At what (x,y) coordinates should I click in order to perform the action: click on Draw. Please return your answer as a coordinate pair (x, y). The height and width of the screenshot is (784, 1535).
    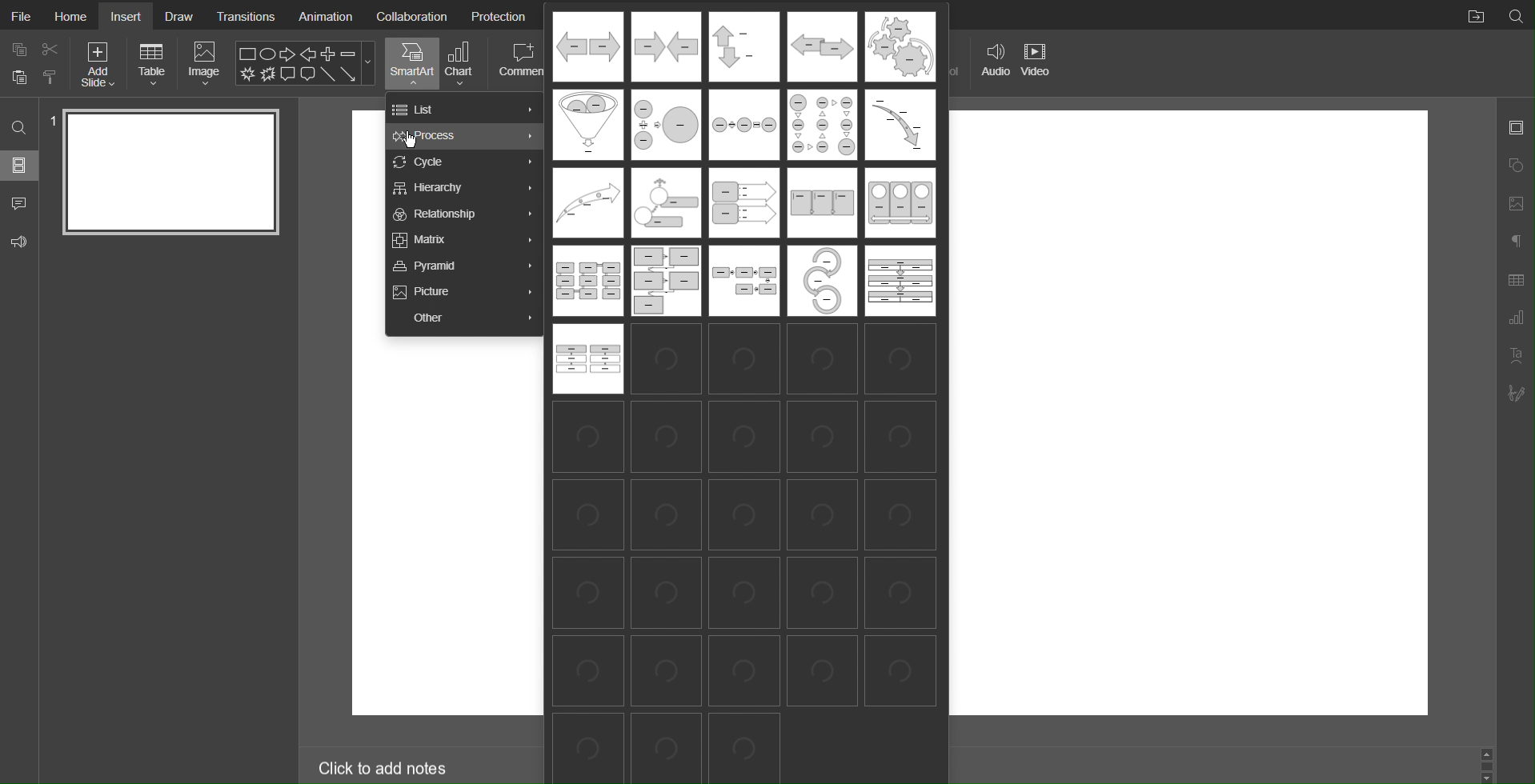
    Looking at the image, I should click on (179, 15).